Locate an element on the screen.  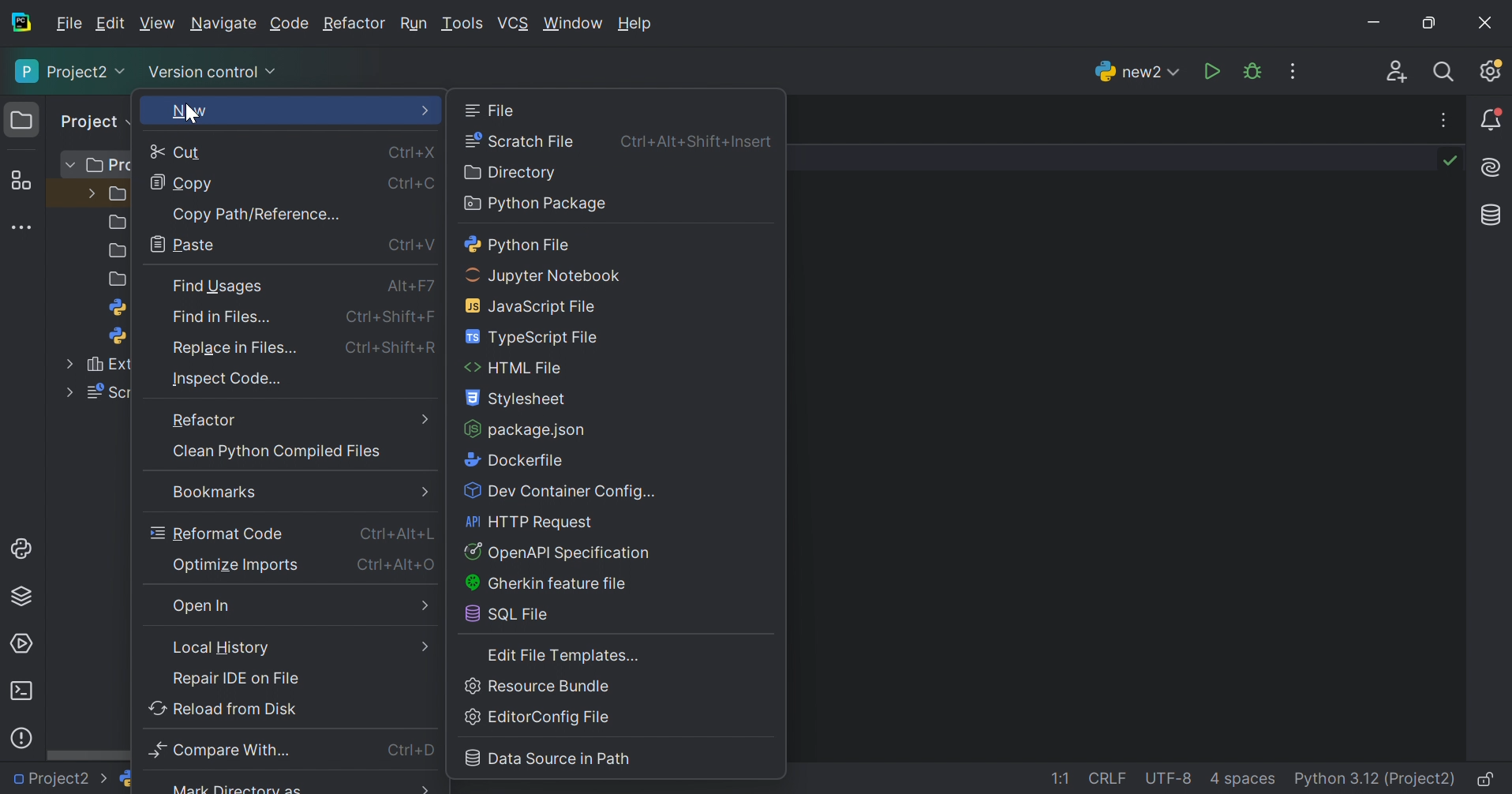
Editor config file is located at coordinates (542, 718).